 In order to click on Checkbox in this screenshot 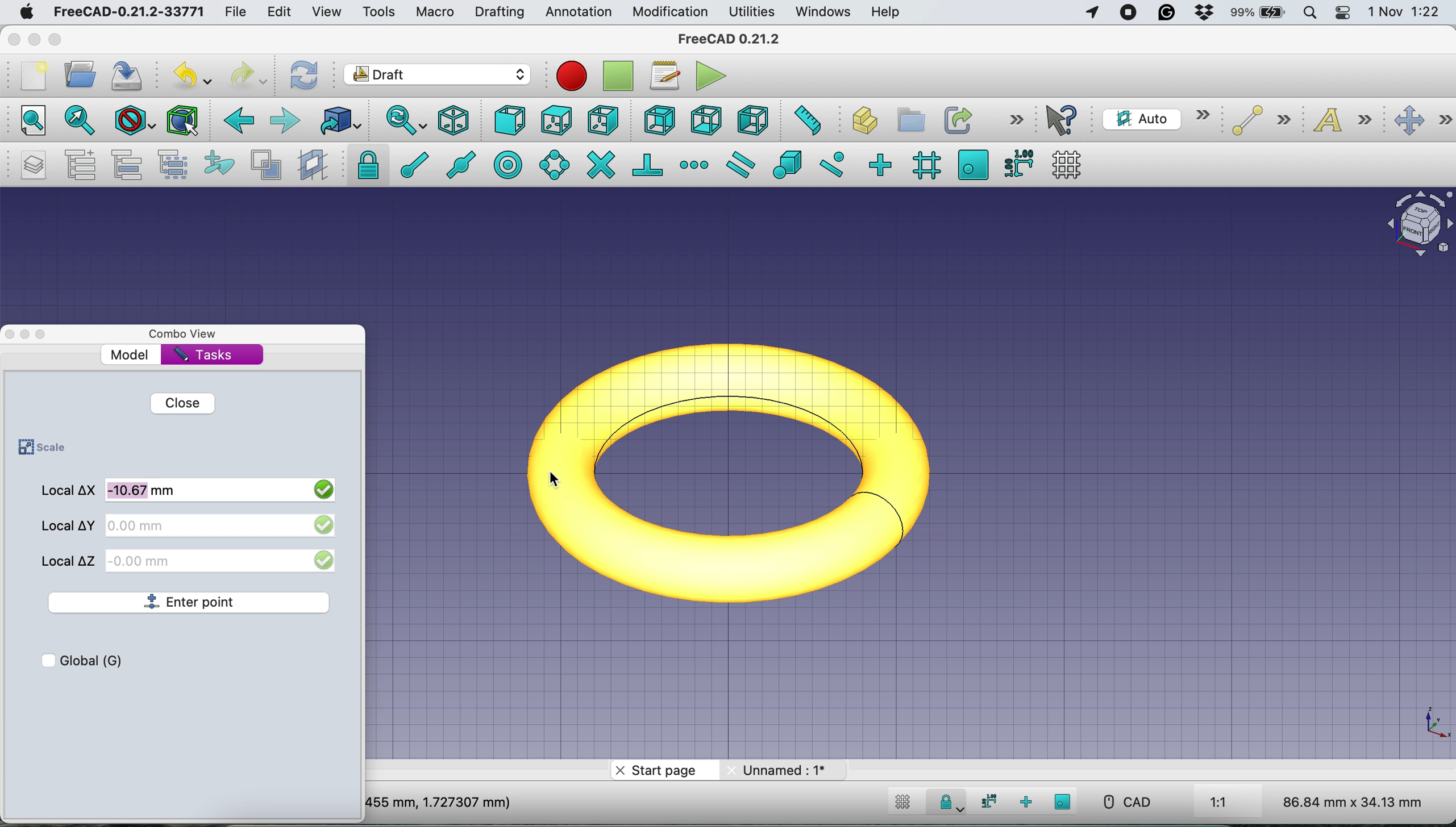, I will do `click(45, 659)`.